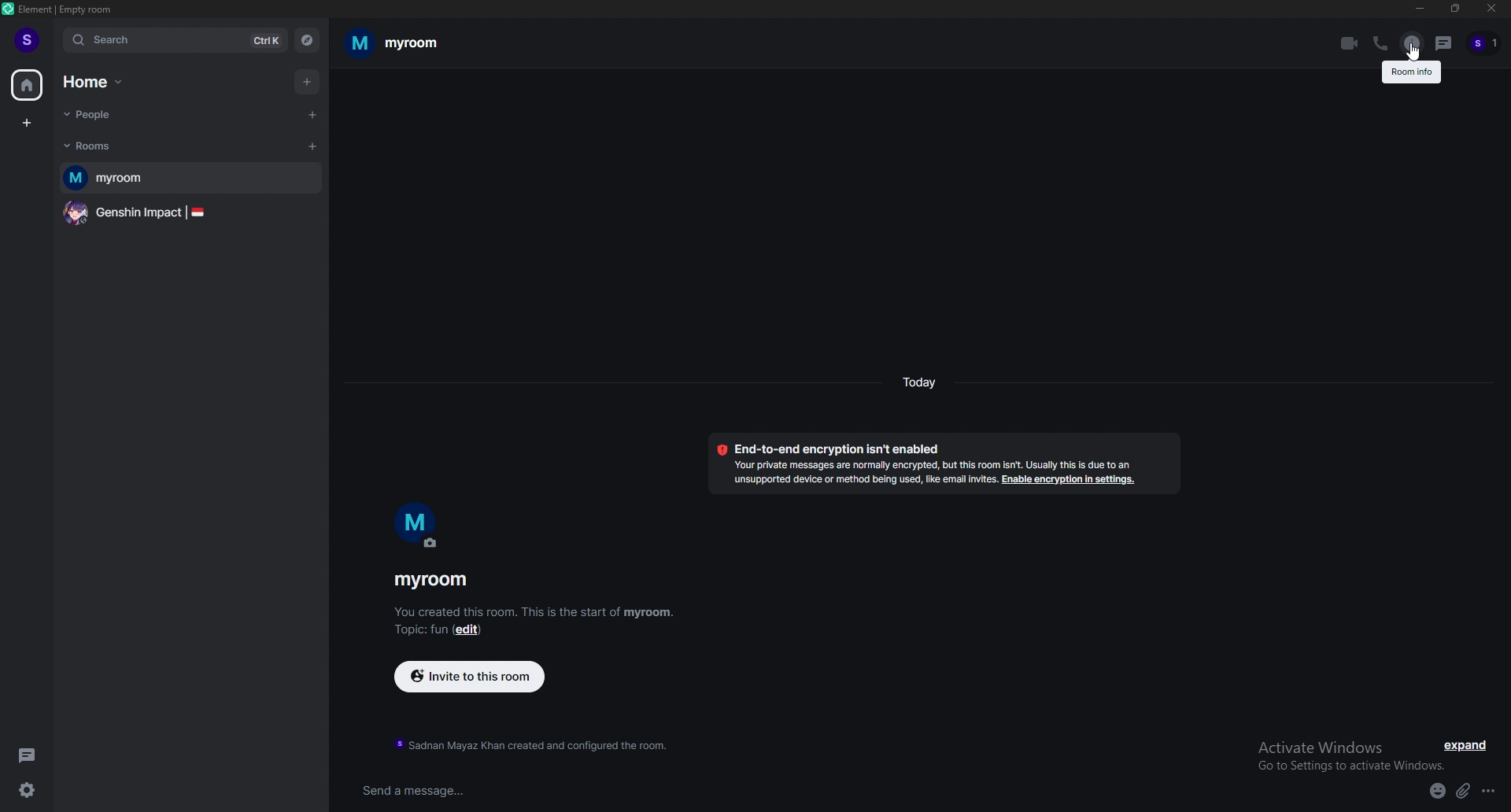 The image size is (1511, 812). Describe the element at coordinates (67, 8) in the screenshot. I see `element | empty room` at that location.